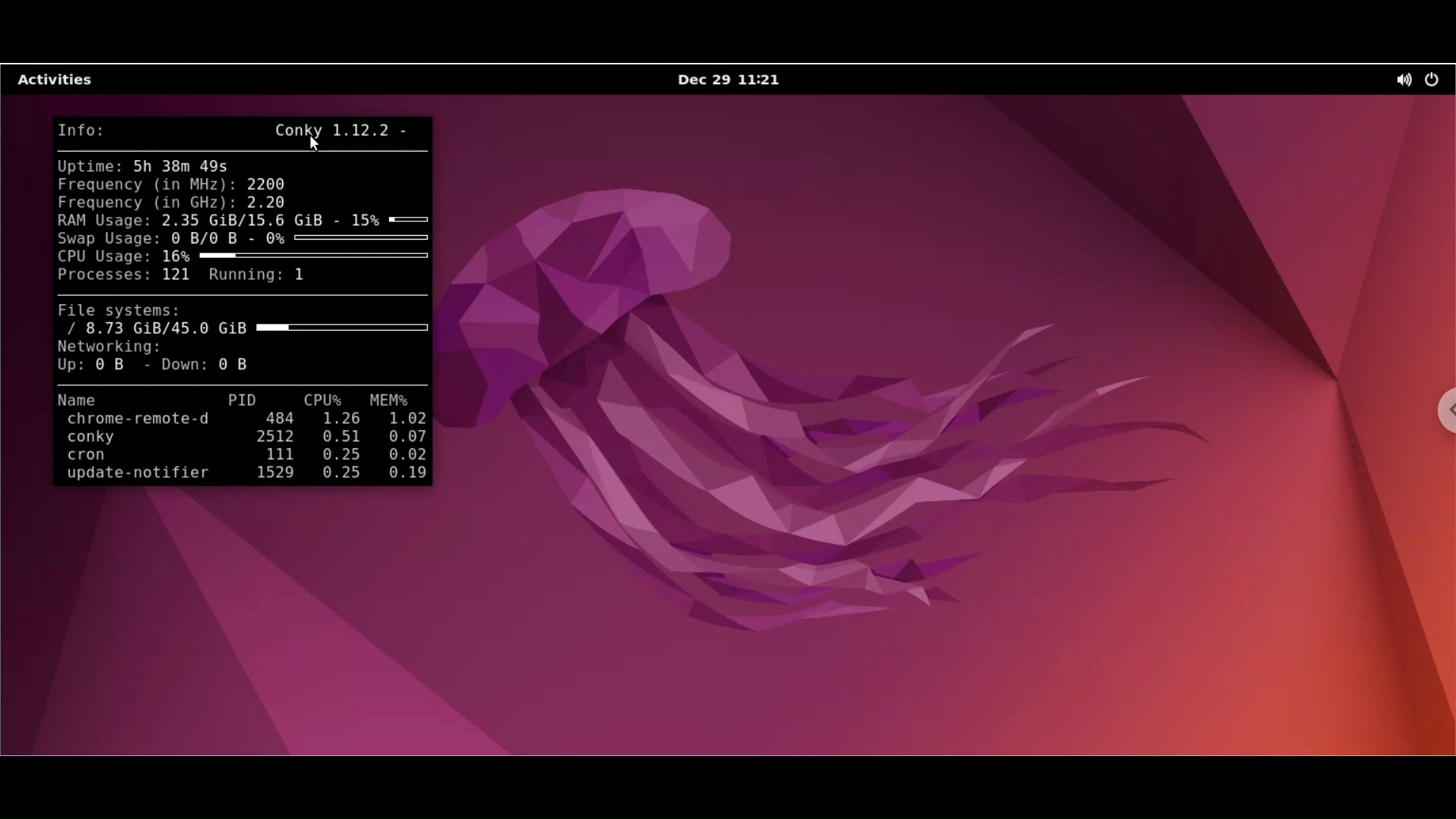  What do you see at coordinates (105, 221) in the screenshot?
I see `RAM usage:` at bounding box center [105, 221].